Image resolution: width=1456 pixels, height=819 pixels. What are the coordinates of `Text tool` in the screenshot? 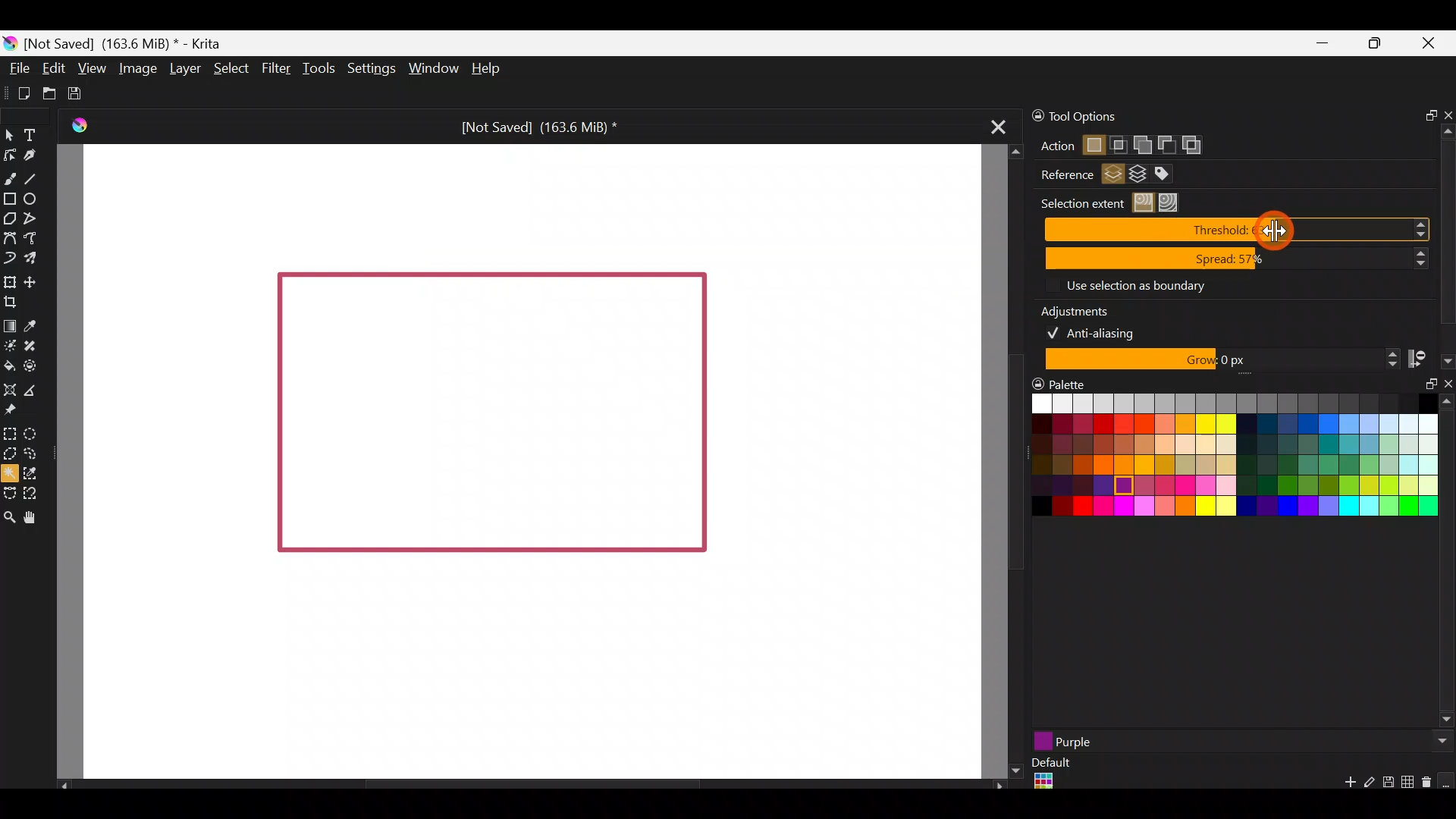 It's located at (31, 133).